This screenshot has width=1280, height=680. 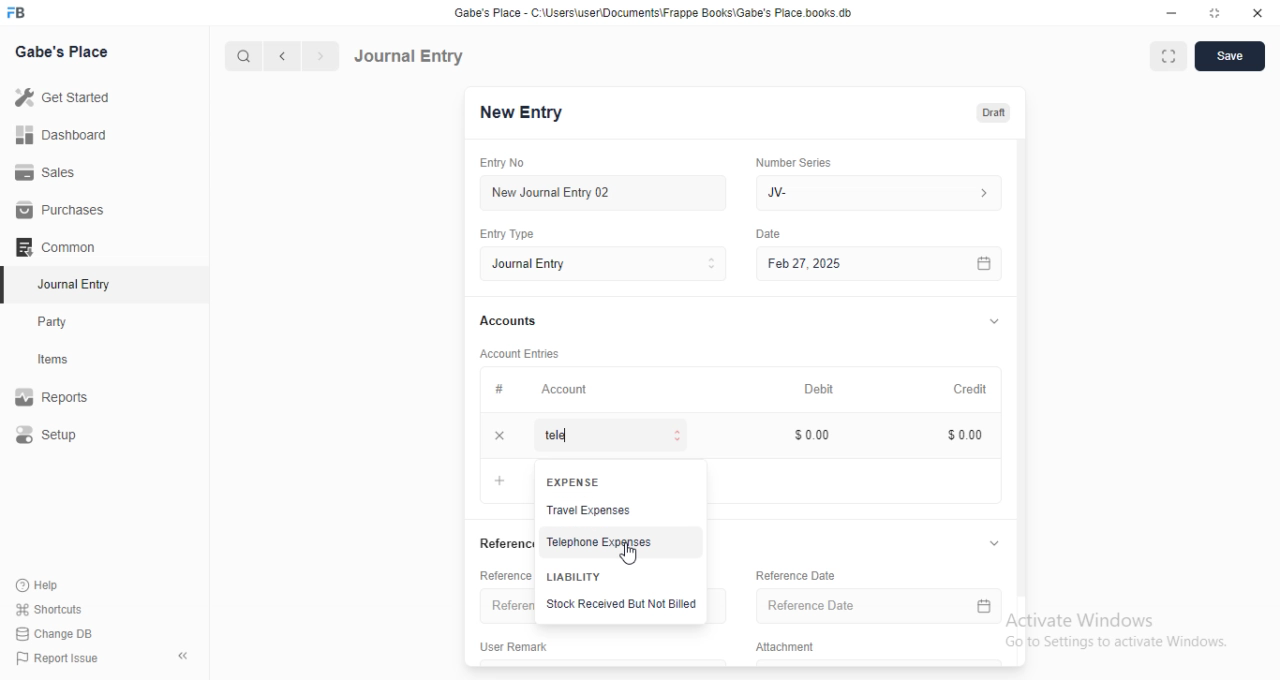 I want to click on Expenses, so click(x=569, y=482).